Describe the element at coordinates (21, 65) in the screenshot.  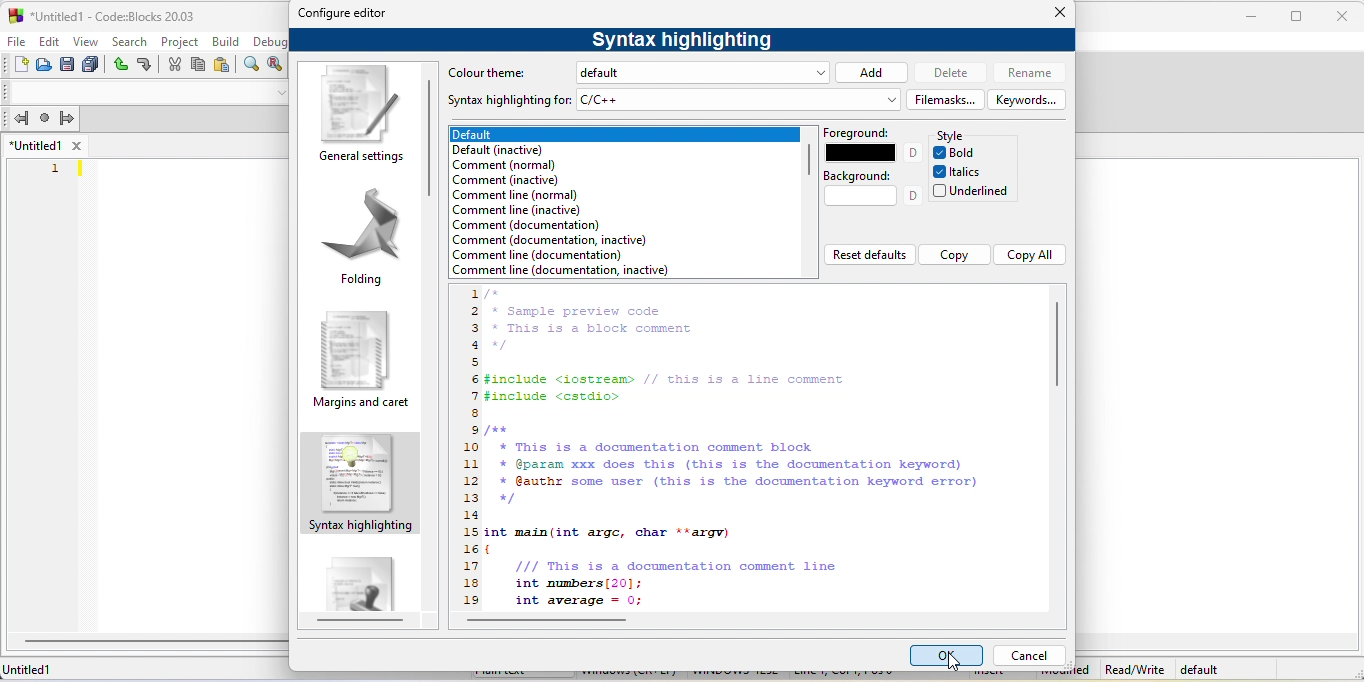
I see `new` at that location.